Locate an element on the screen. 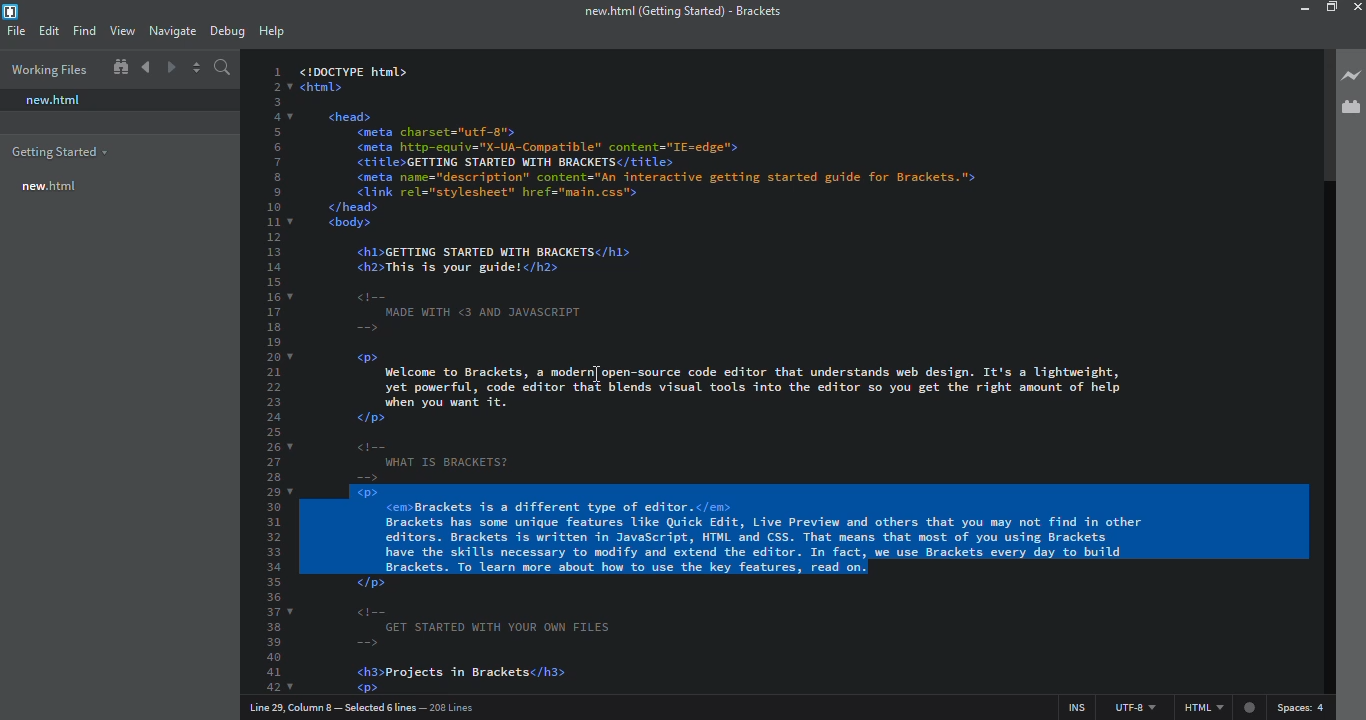  show in file tree is located at coordinates (121, 67).